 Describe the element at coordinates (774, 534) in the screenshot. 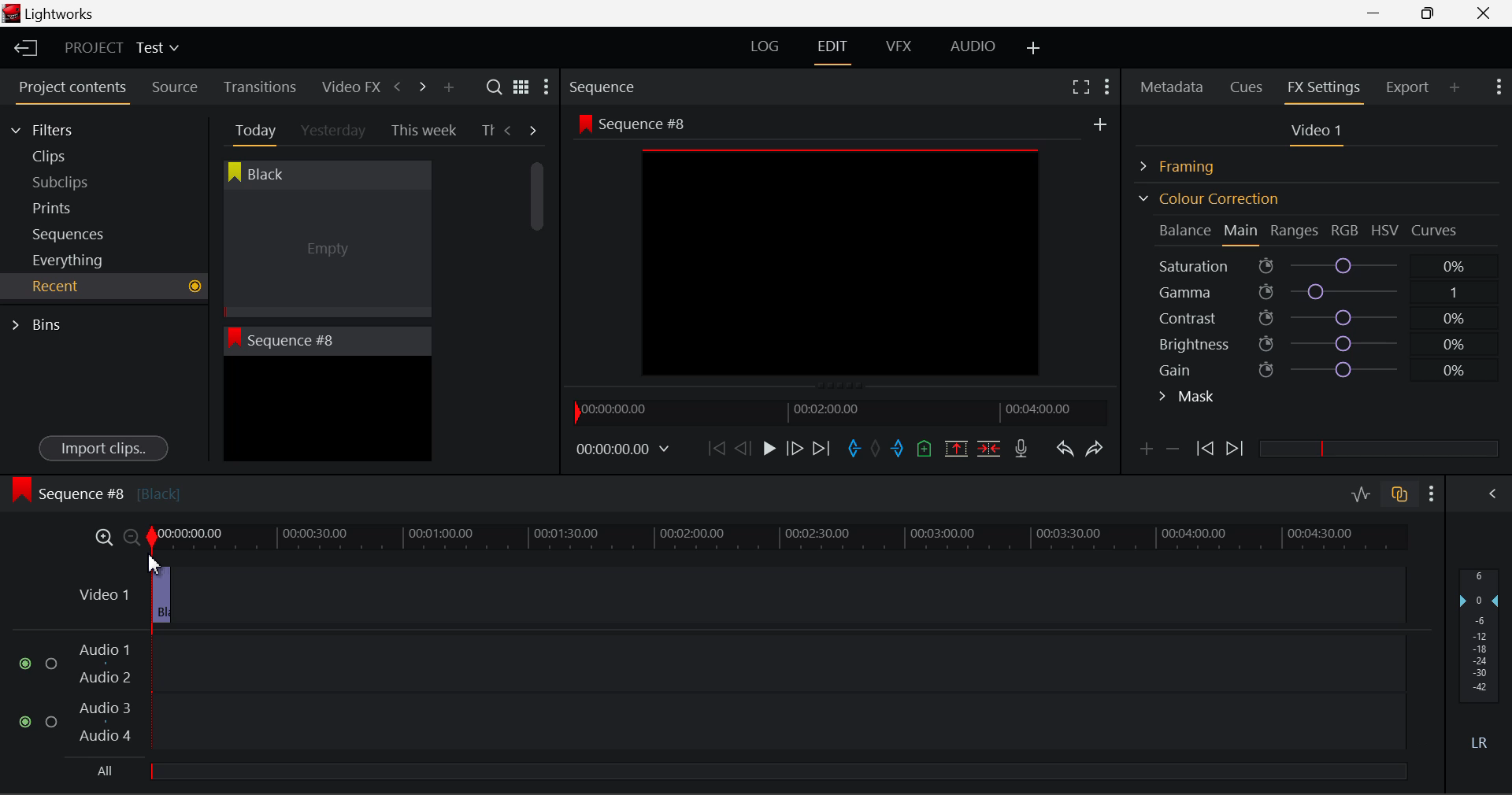

I see `Project Timeline` at that location.